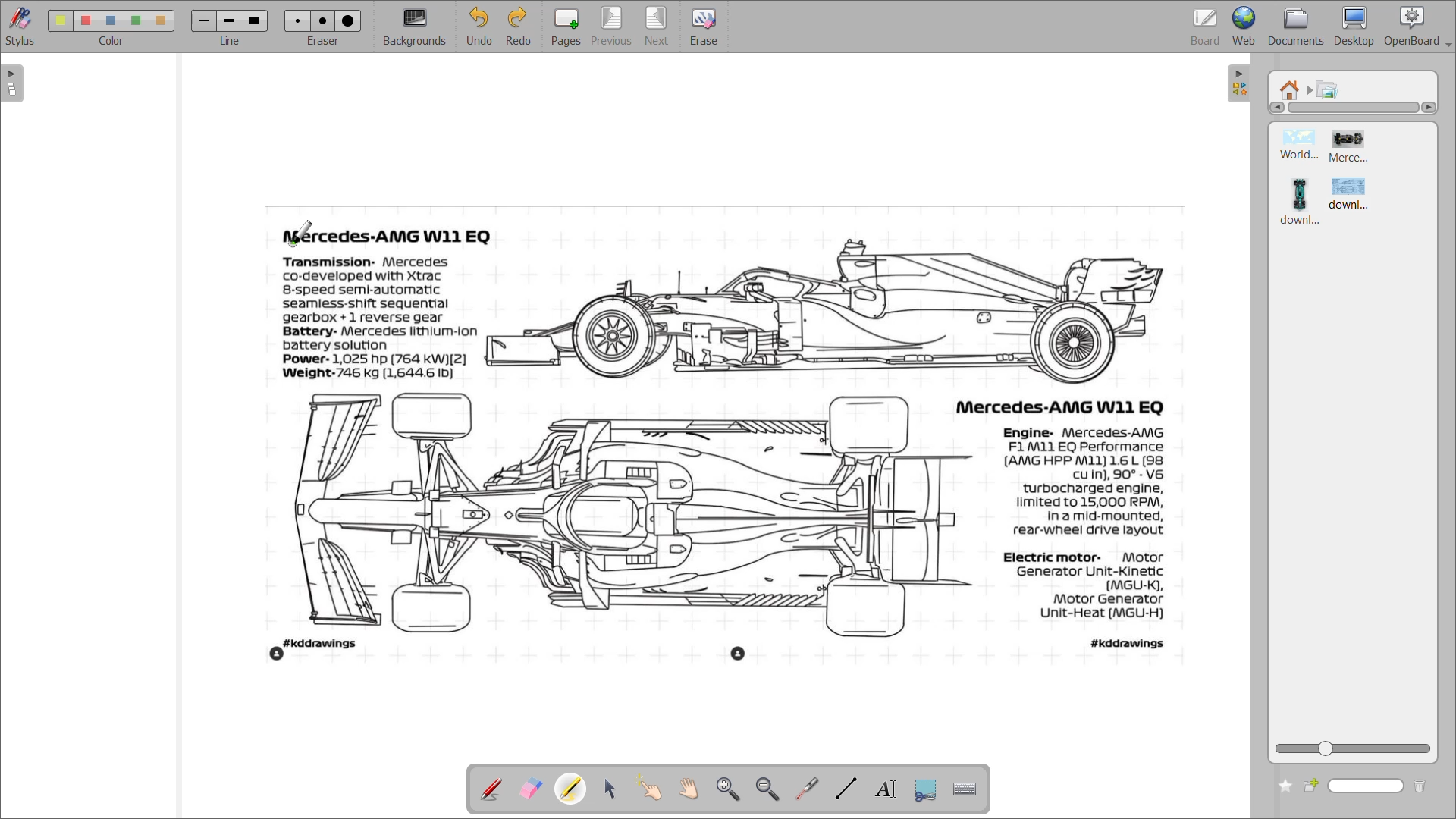  I want to click on add to favourites, so click(1284, 785).